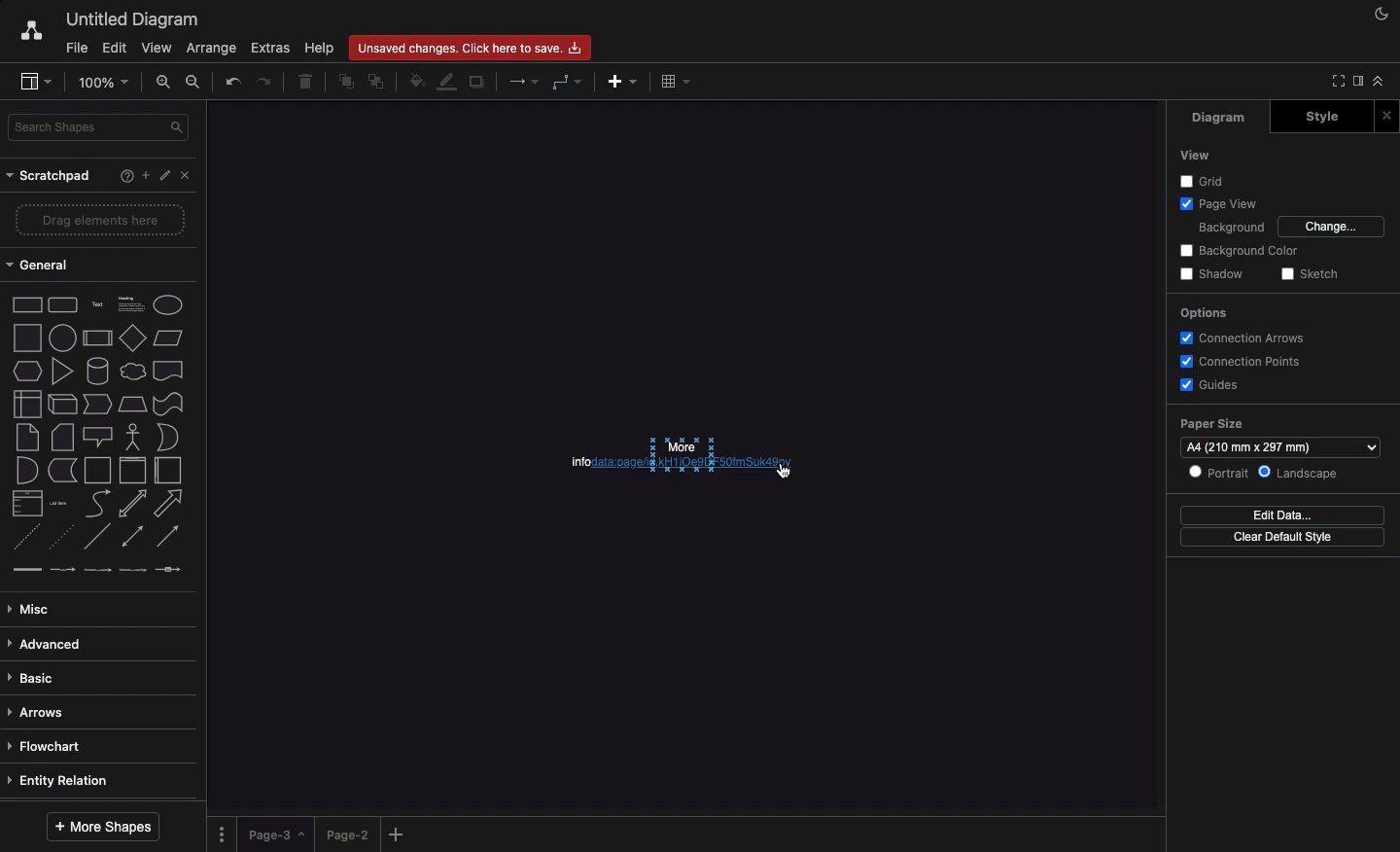 The image size is (1400, 852). Describe the element at coordinates (1215, 273) in the screenshot. I see `Shadow` at that location.